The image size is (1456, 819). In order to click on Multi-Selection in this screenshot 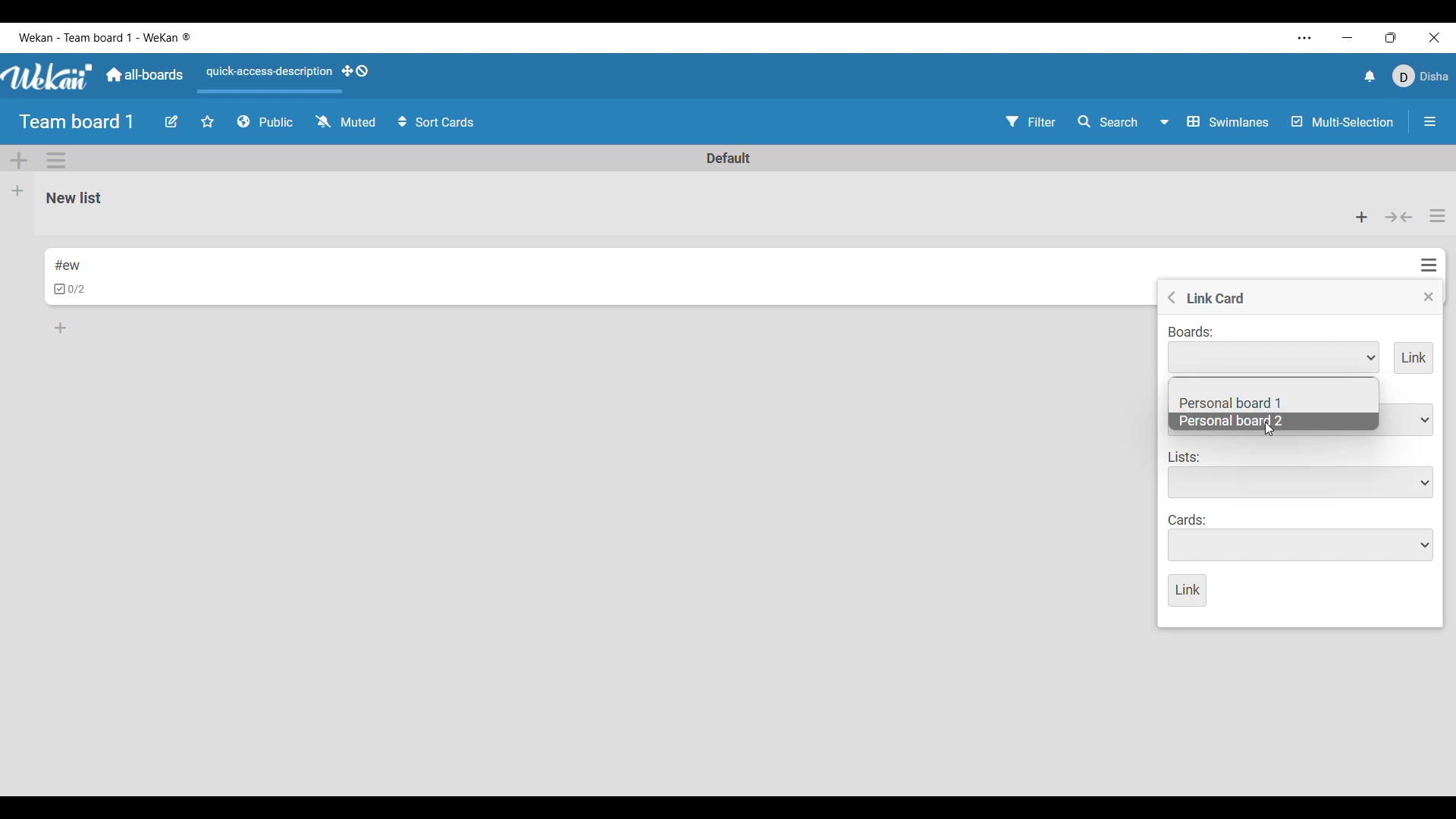, I will do `click(1344, 122)`.